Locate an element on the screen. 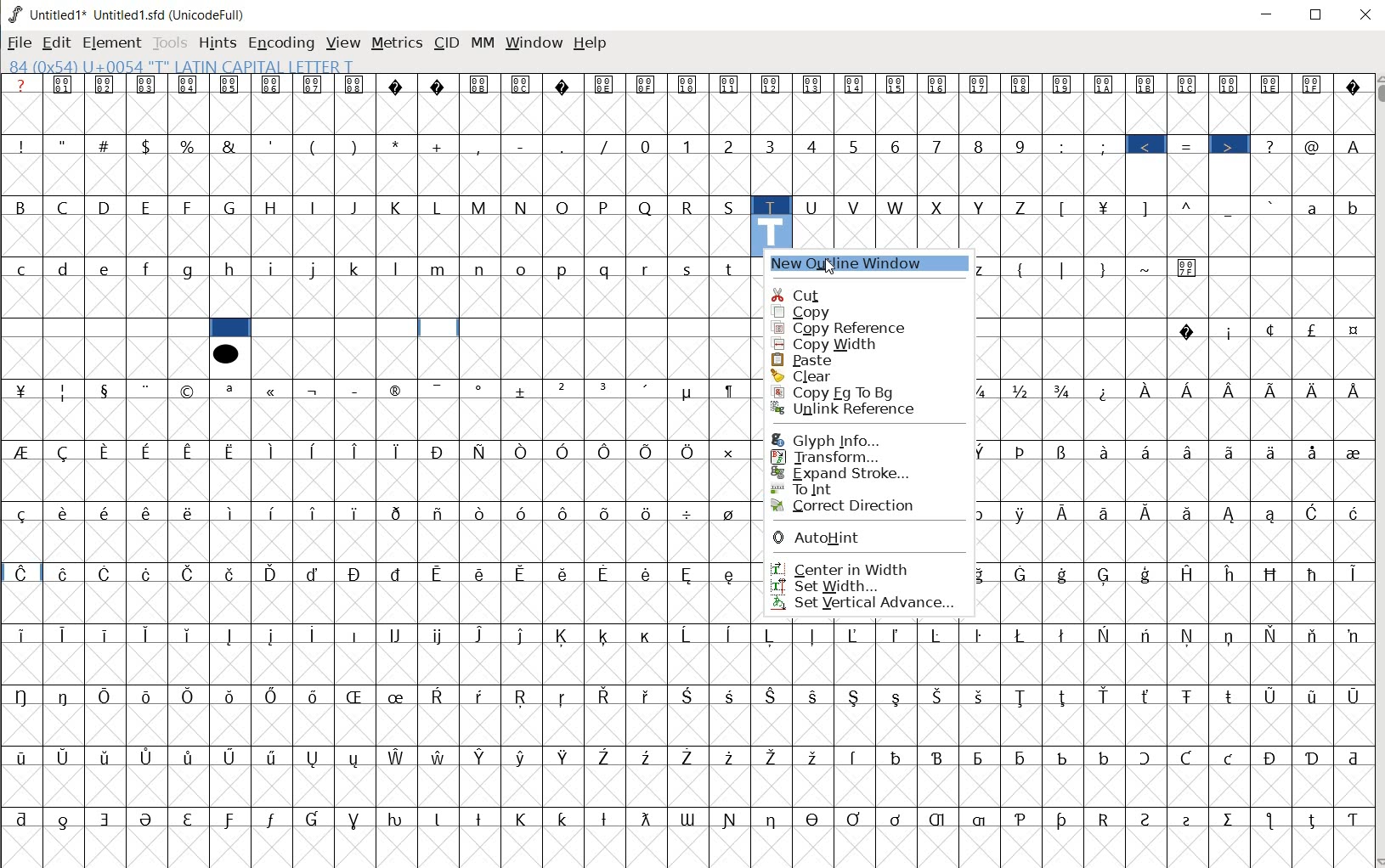 Image resolution: width=1385 pixels, height=868 pixels. Symbol is located at coordinates (107, 819).